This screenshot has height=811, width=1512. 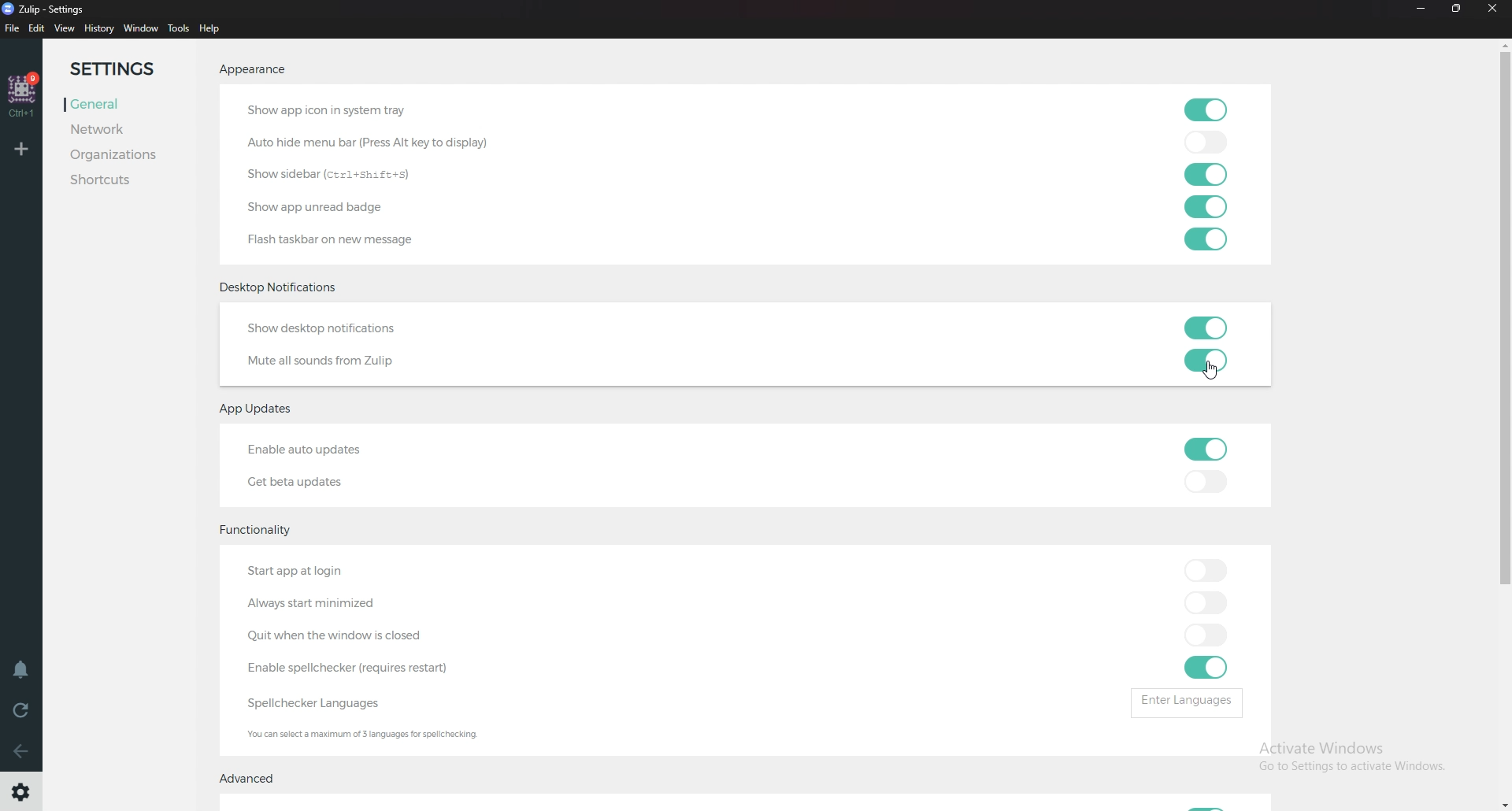 I want to click on Appearance, so click(x=250, y=72).